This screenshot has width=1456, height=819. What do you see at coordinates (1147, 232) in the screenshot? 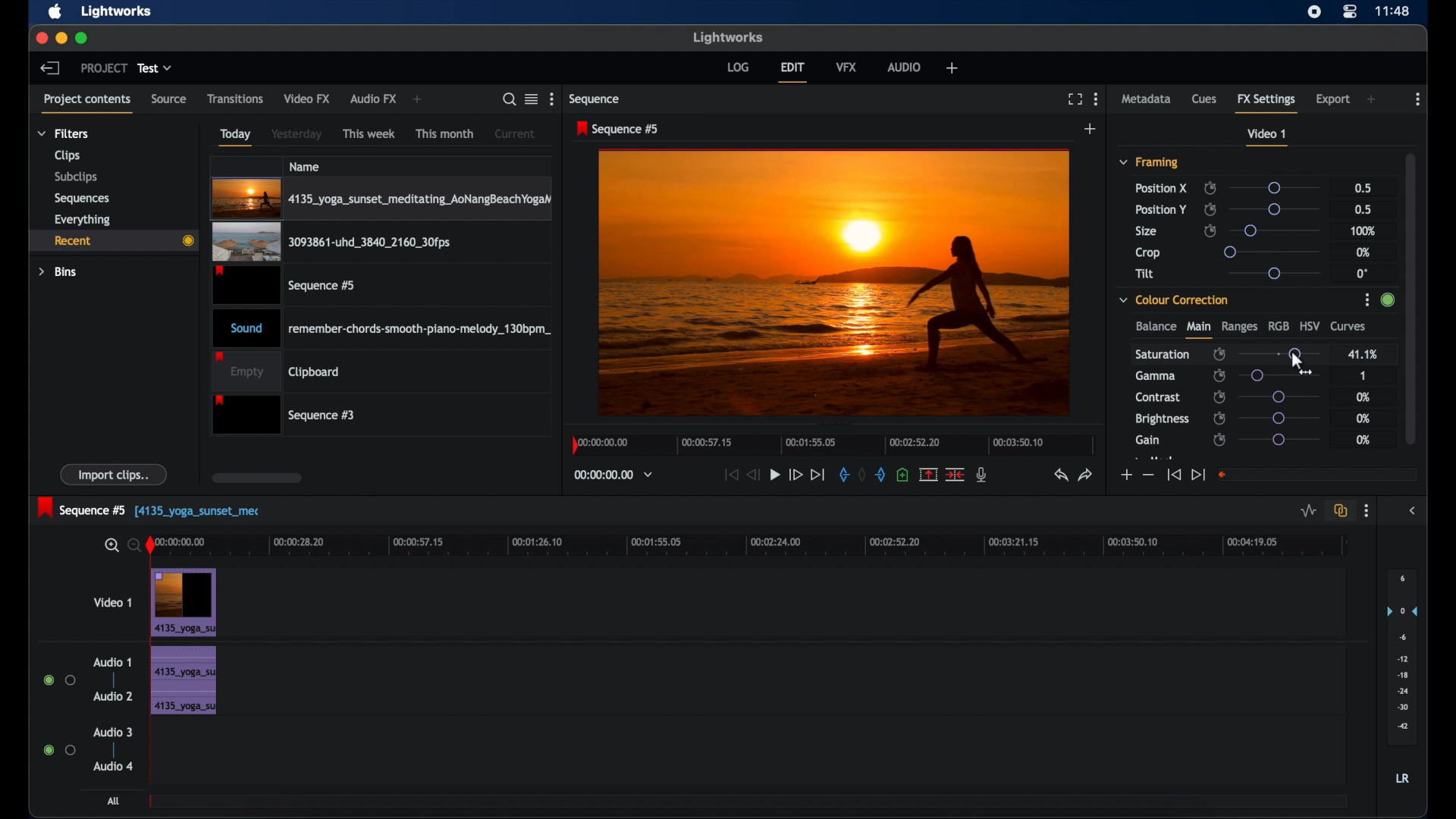
I see `size` at bounding box center [1147, 232].